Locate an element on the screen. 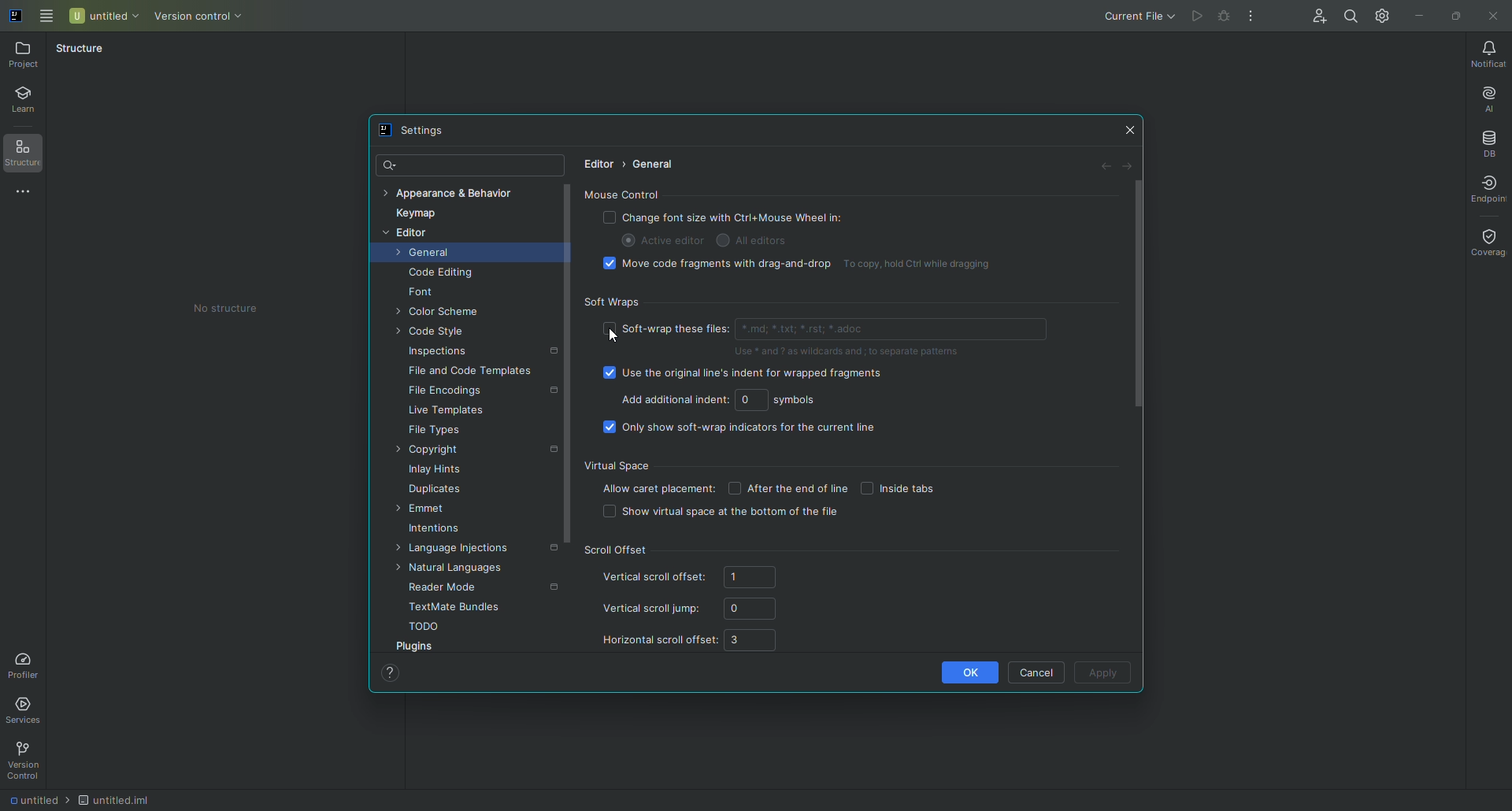 This screenshot has height=811, width=1512. Database is located at coordinates (1487, 140).